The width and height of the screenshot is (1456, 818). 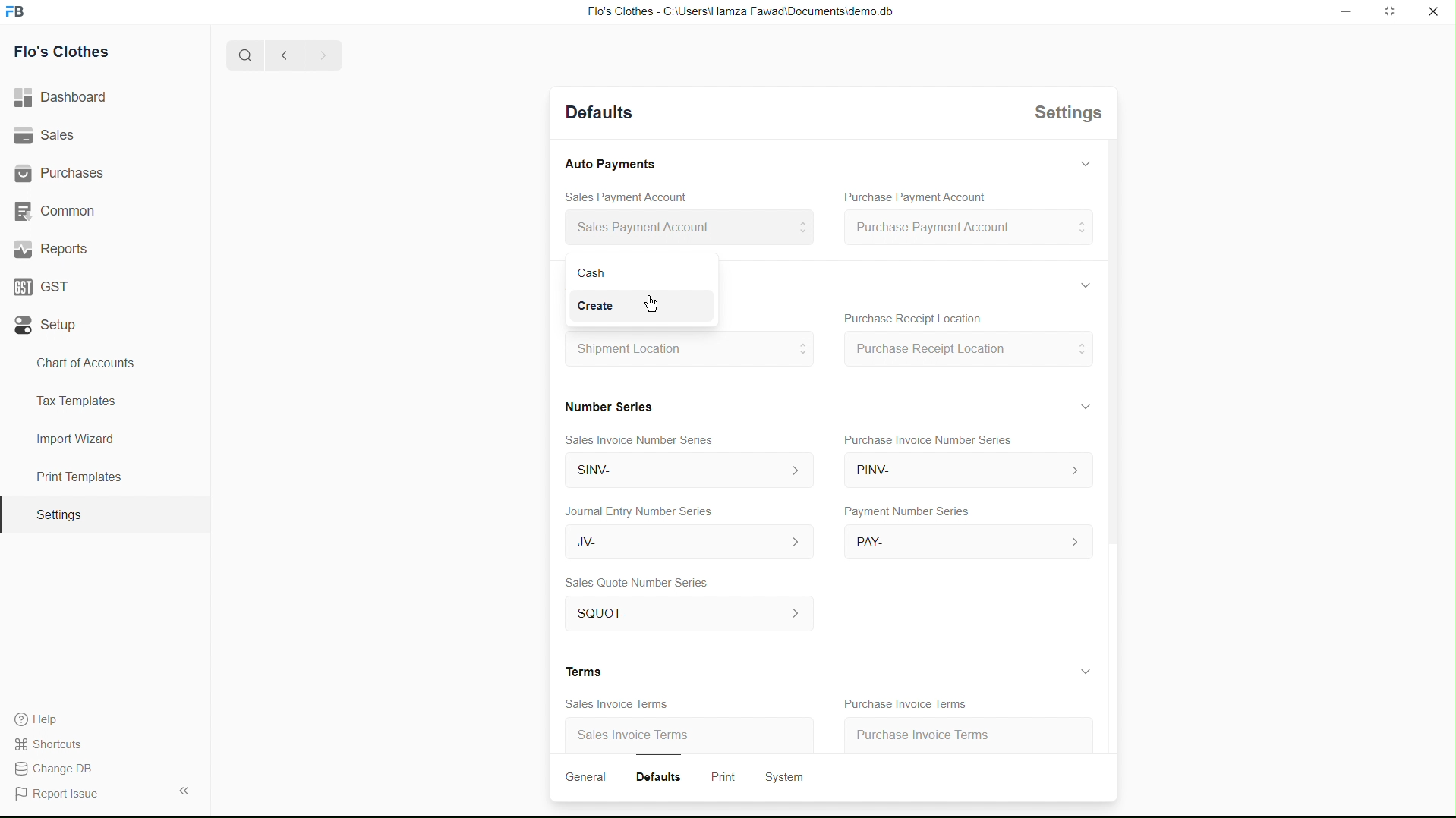 I want to click on SINV-, so click(x=682, y=471).